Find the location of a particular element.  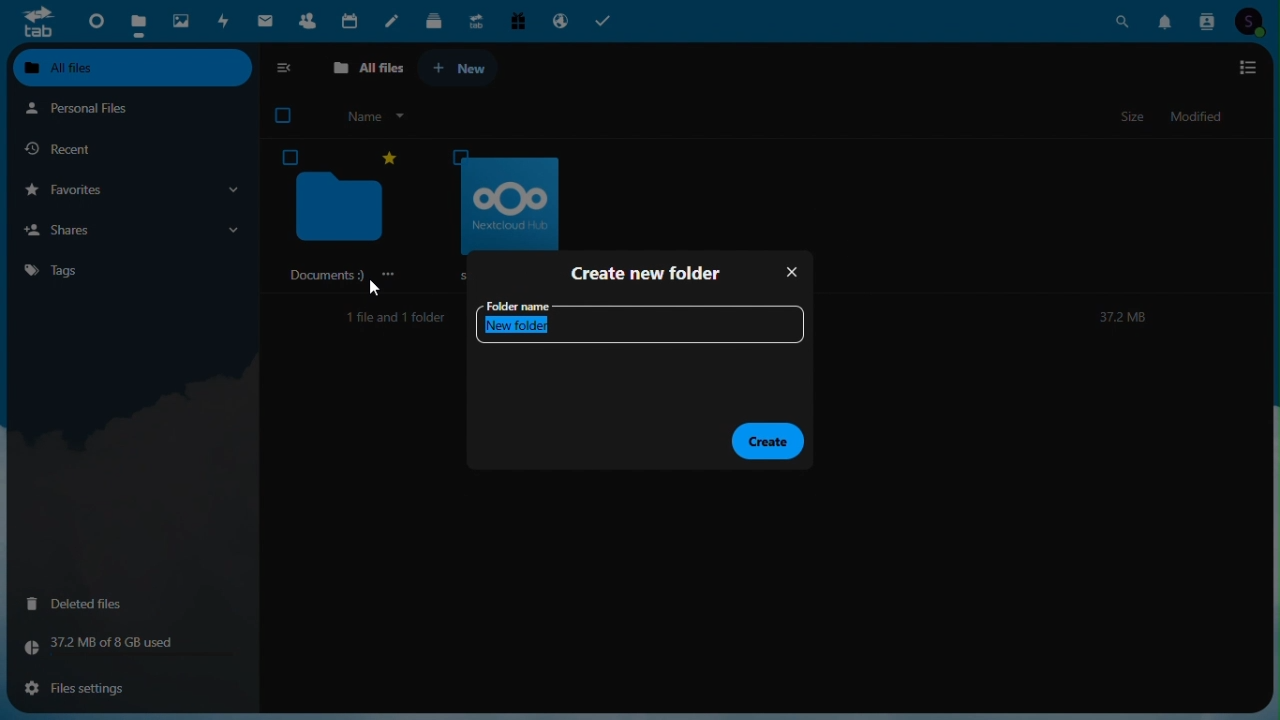

Notifications is located at coordinates (1167, 21).